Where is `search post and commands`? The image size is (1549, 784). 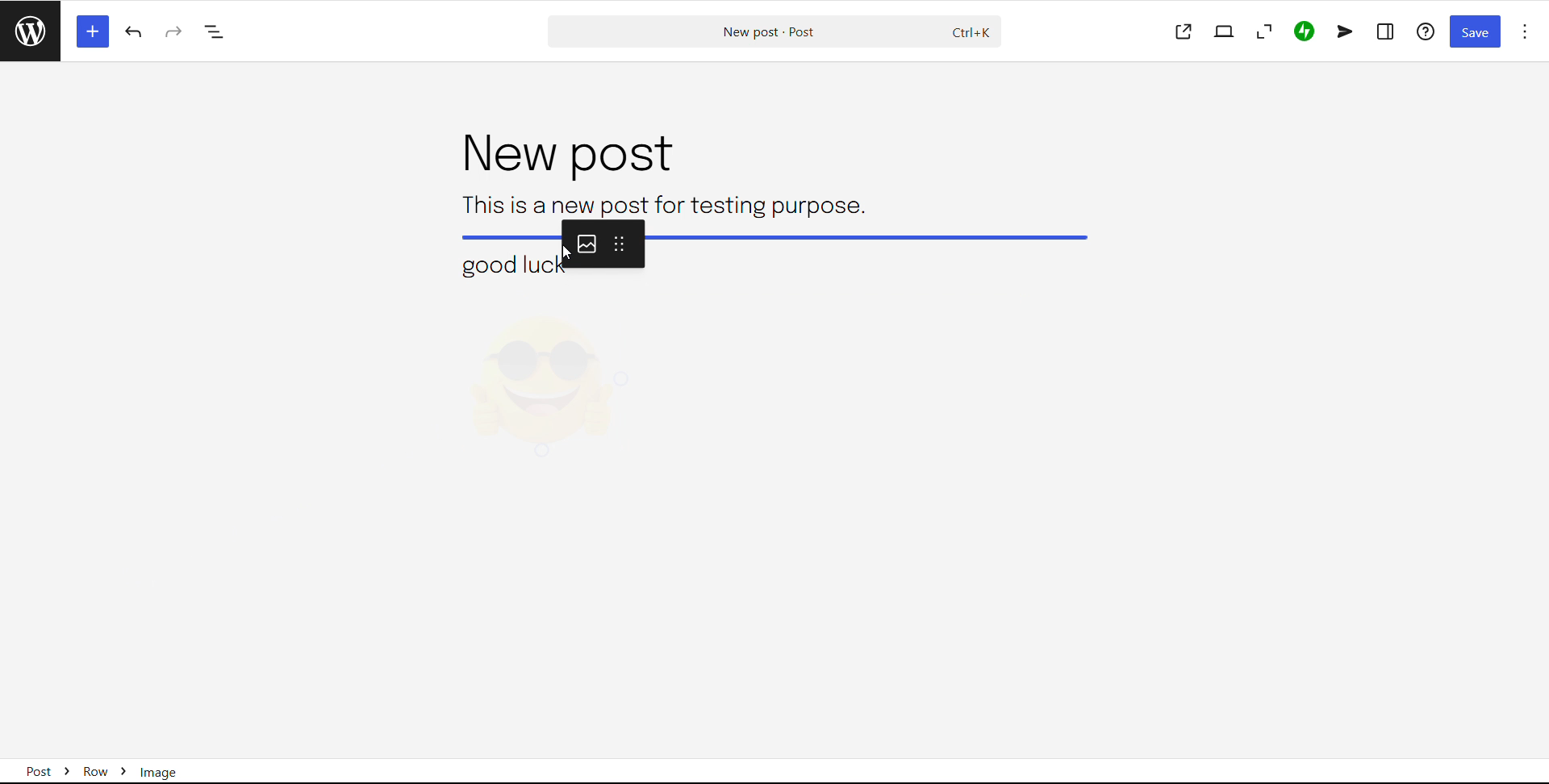
search post and commands is located at coordinates (774, 32).